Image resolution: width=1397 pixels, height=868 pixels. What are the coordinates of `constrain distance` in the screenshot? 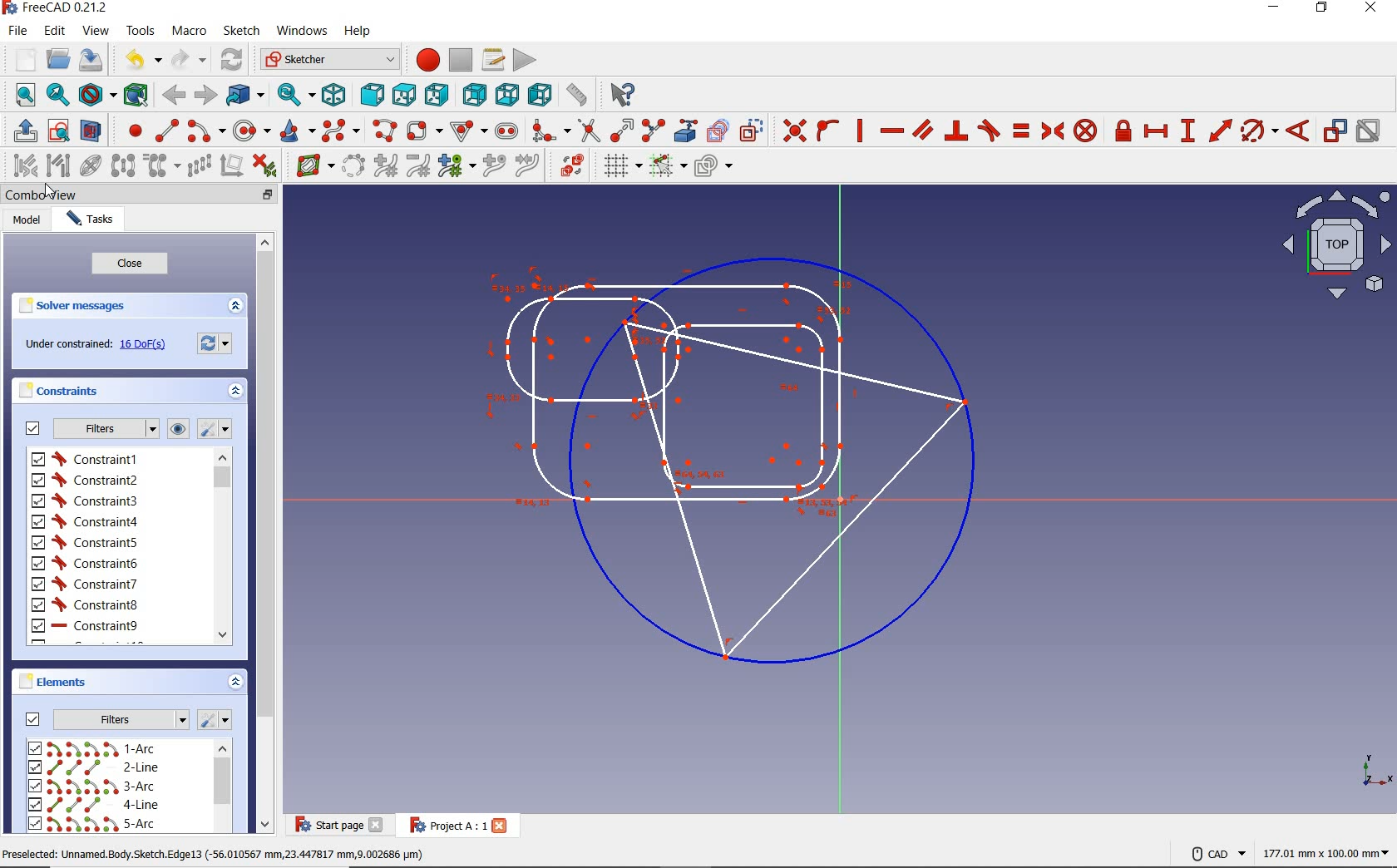 It's located at (1221, 133).